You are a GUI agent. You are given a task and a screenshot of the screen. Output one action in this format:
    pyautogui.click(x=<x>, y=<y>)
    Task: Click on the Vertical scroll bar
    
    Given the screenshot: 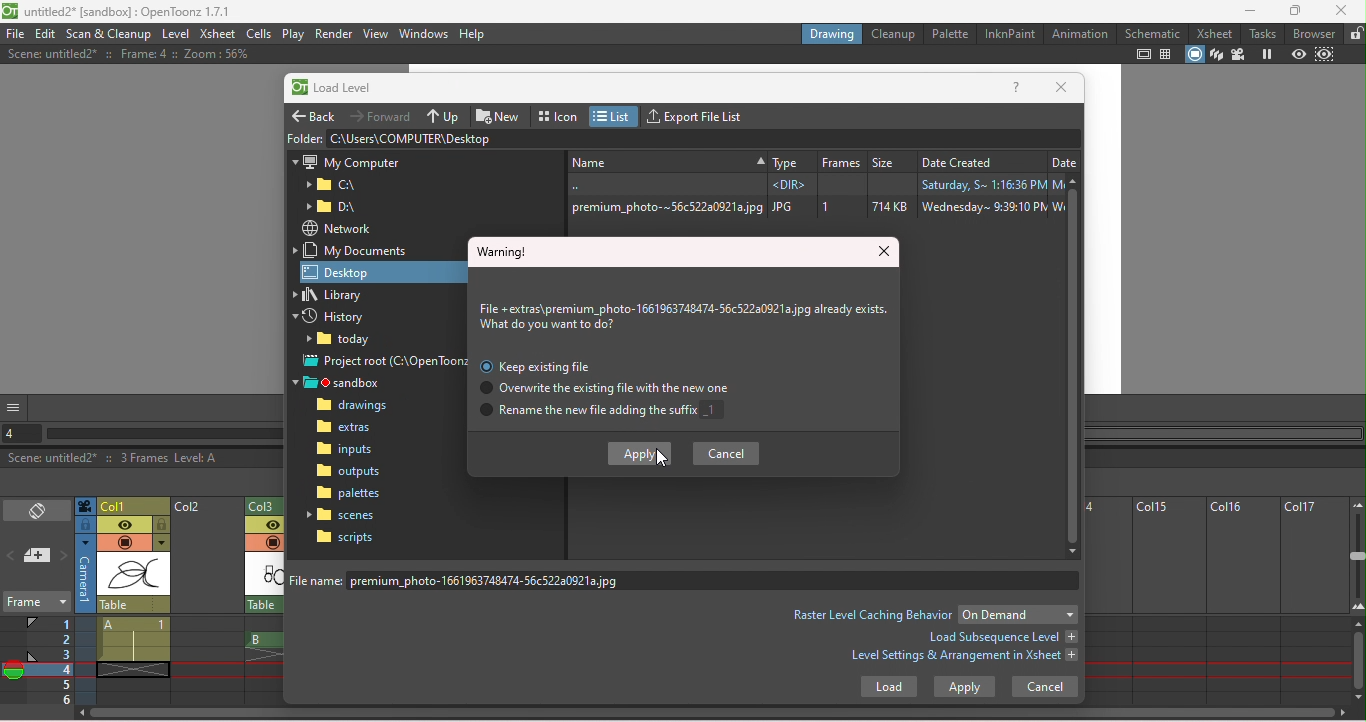 What is the action you would take?
    pyautogui.click(x=1358, y=662)
    